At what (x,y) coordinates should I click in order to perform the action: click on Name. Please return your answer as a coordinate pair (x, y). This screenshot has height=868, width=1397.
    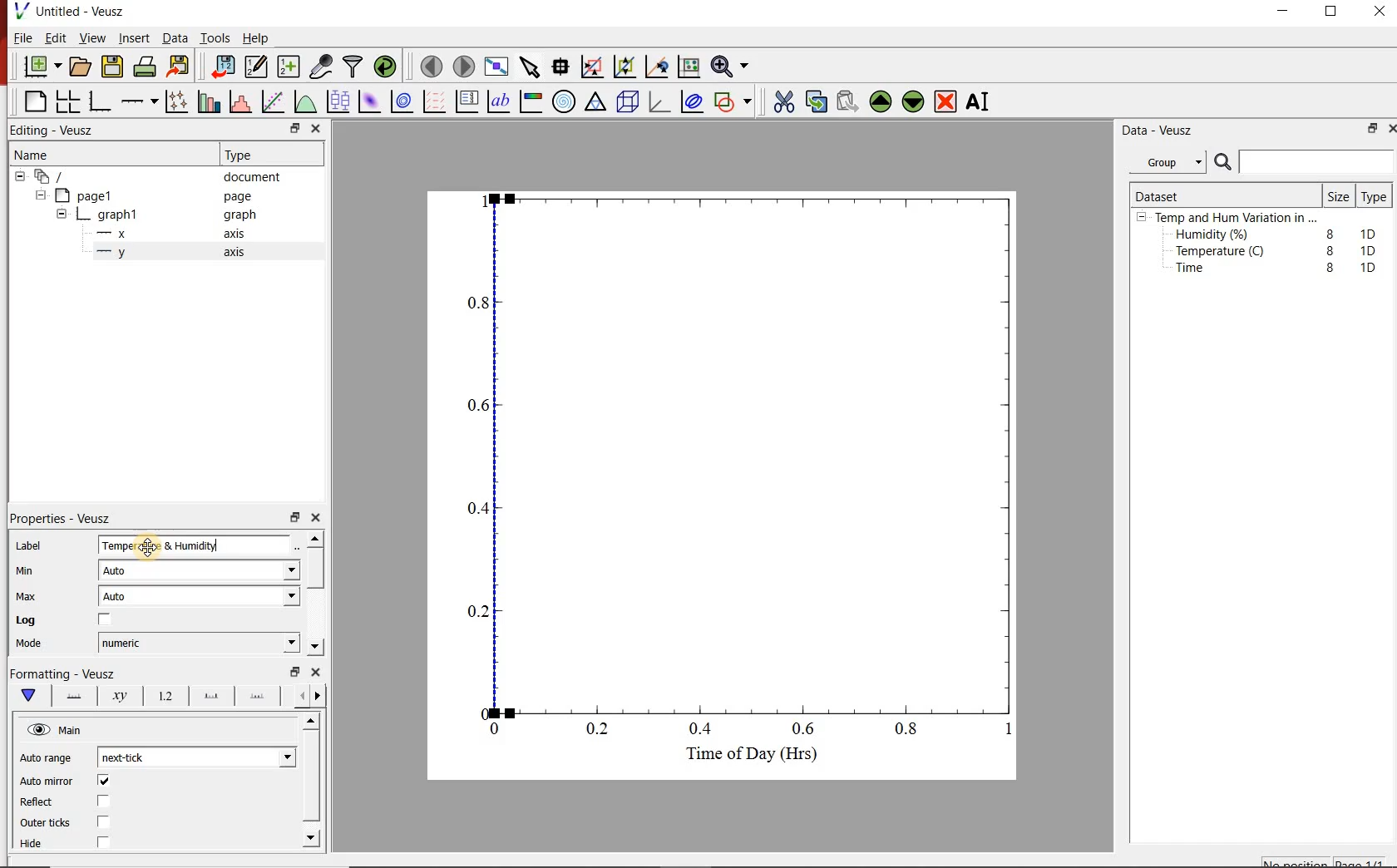
    Looking at the image, I should click on (47, 156).